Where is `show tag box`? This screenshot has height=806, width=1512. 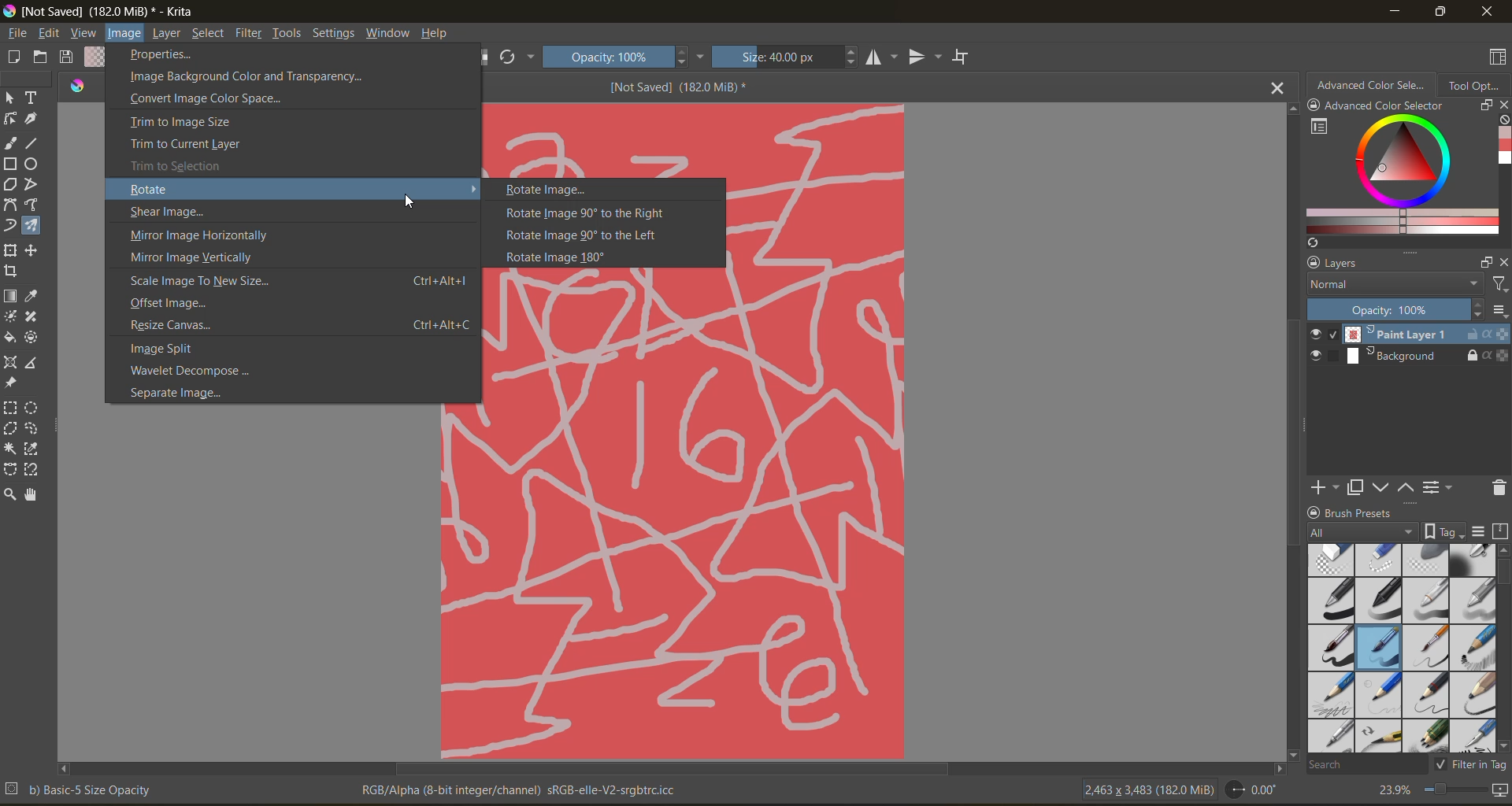 show tag box is located at coordinates (1442, 529).